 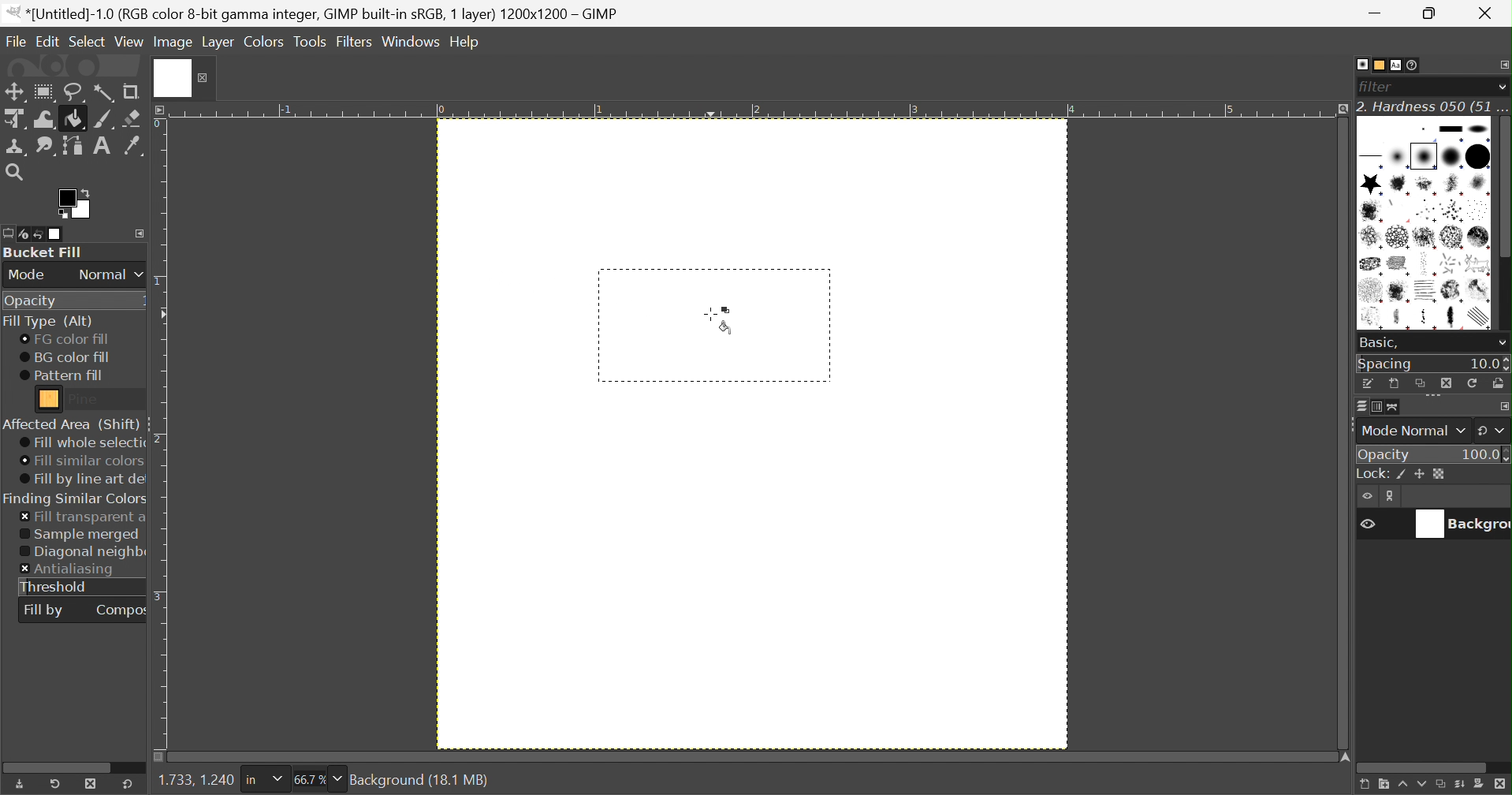 I want to click on Reset to default values, so click(x=128, y=783).